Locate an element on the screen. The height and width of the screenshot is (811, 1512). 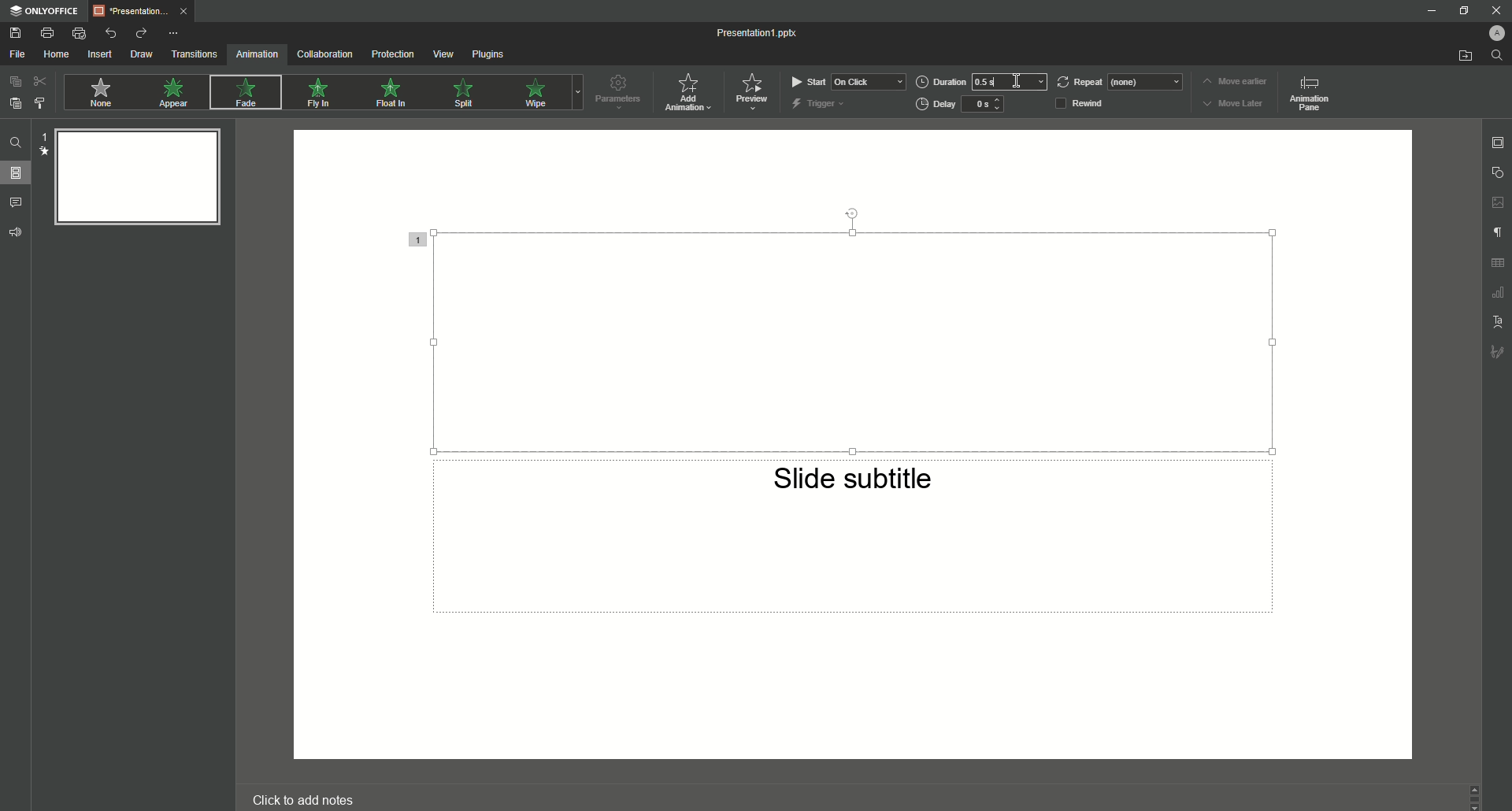
Wipe is located at coordinates (535, 93).